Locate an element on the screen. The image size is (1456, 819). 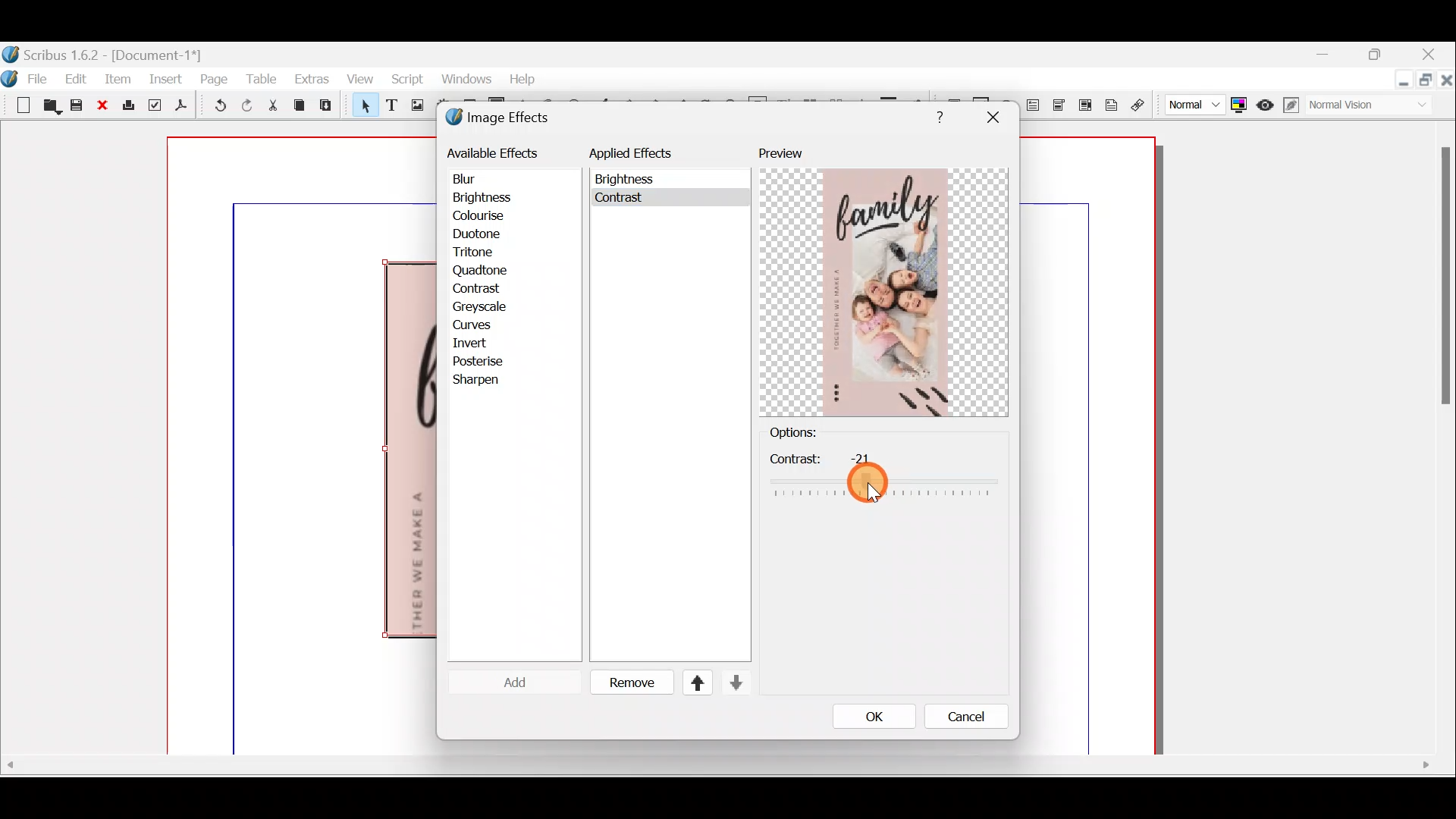
Minimise is located at coordinates (1404, 81).